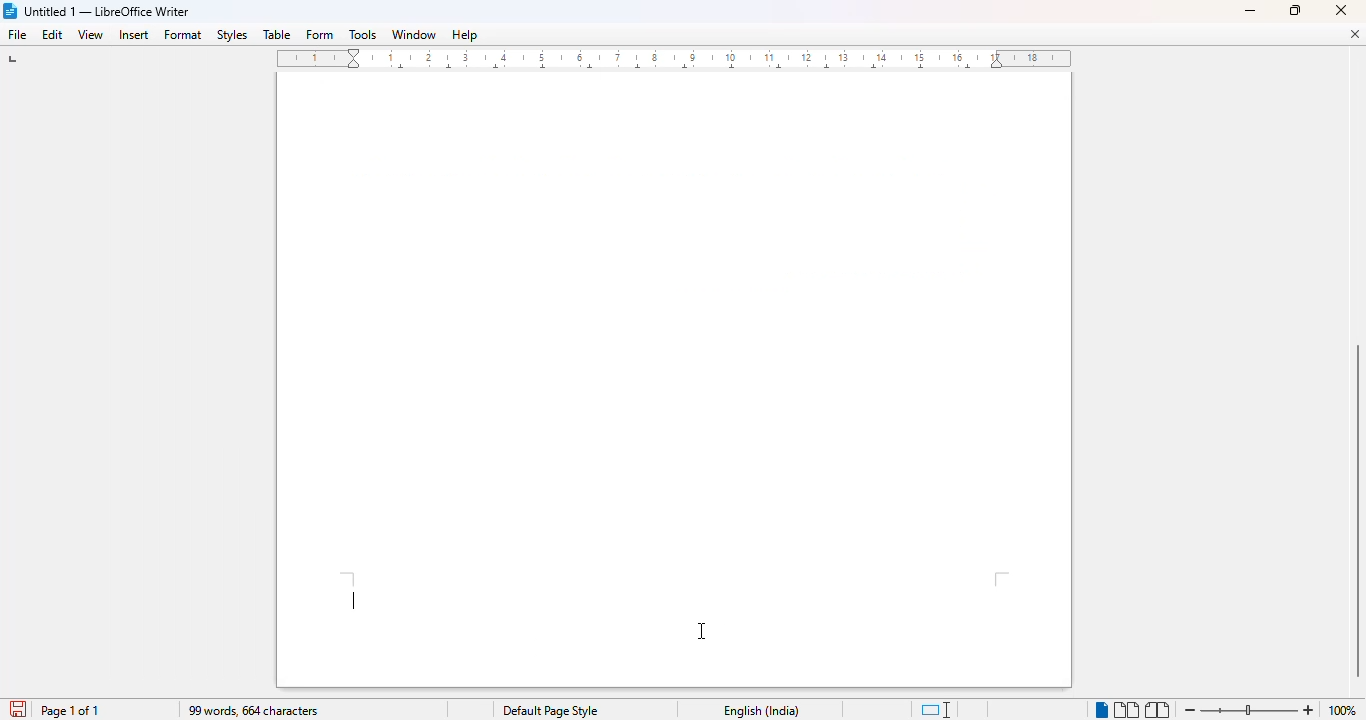 The image size is (1366, 720). I want to click on zoom out, so click(1190, 709).